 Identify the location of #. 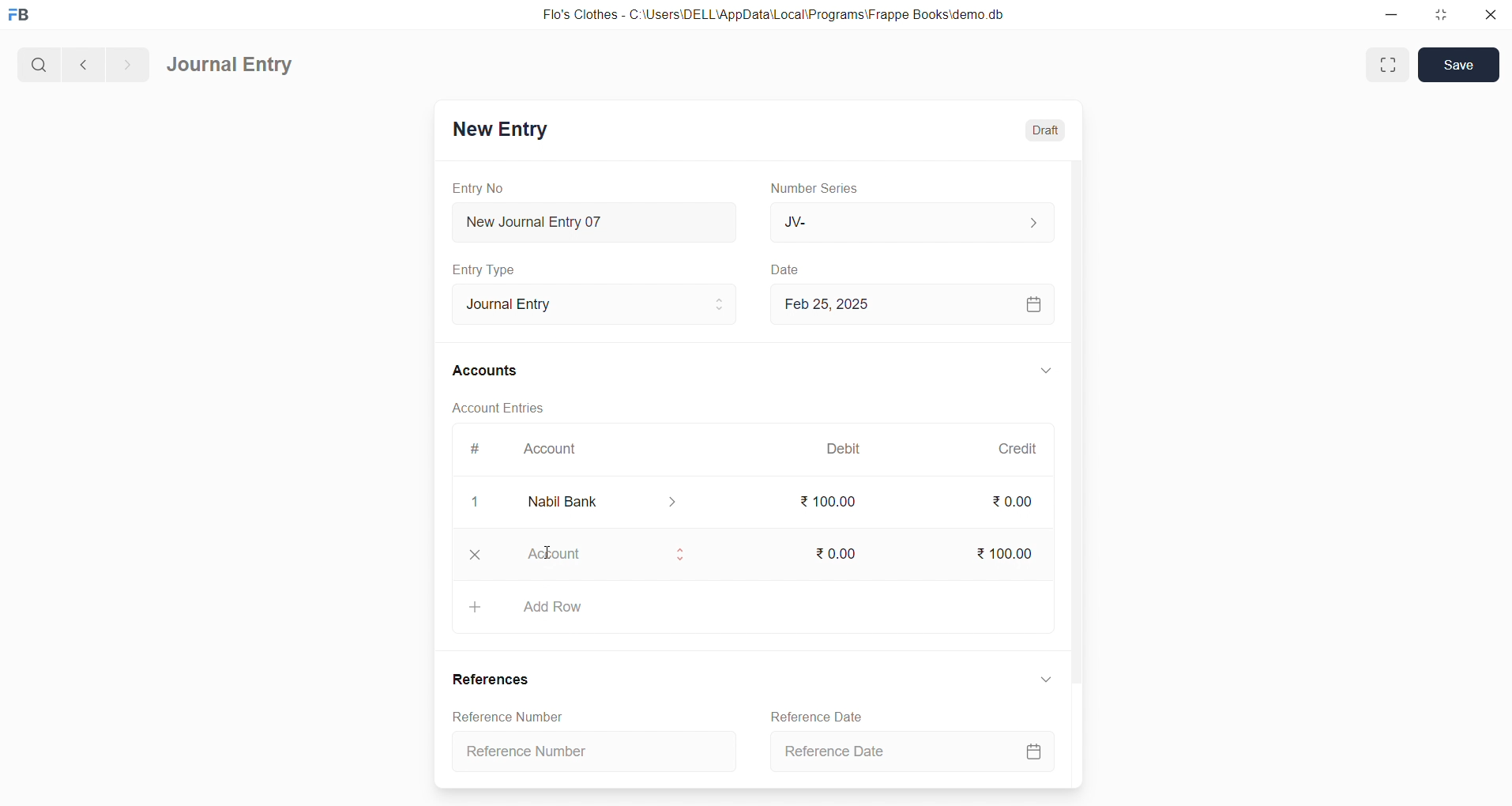
(473, 449).